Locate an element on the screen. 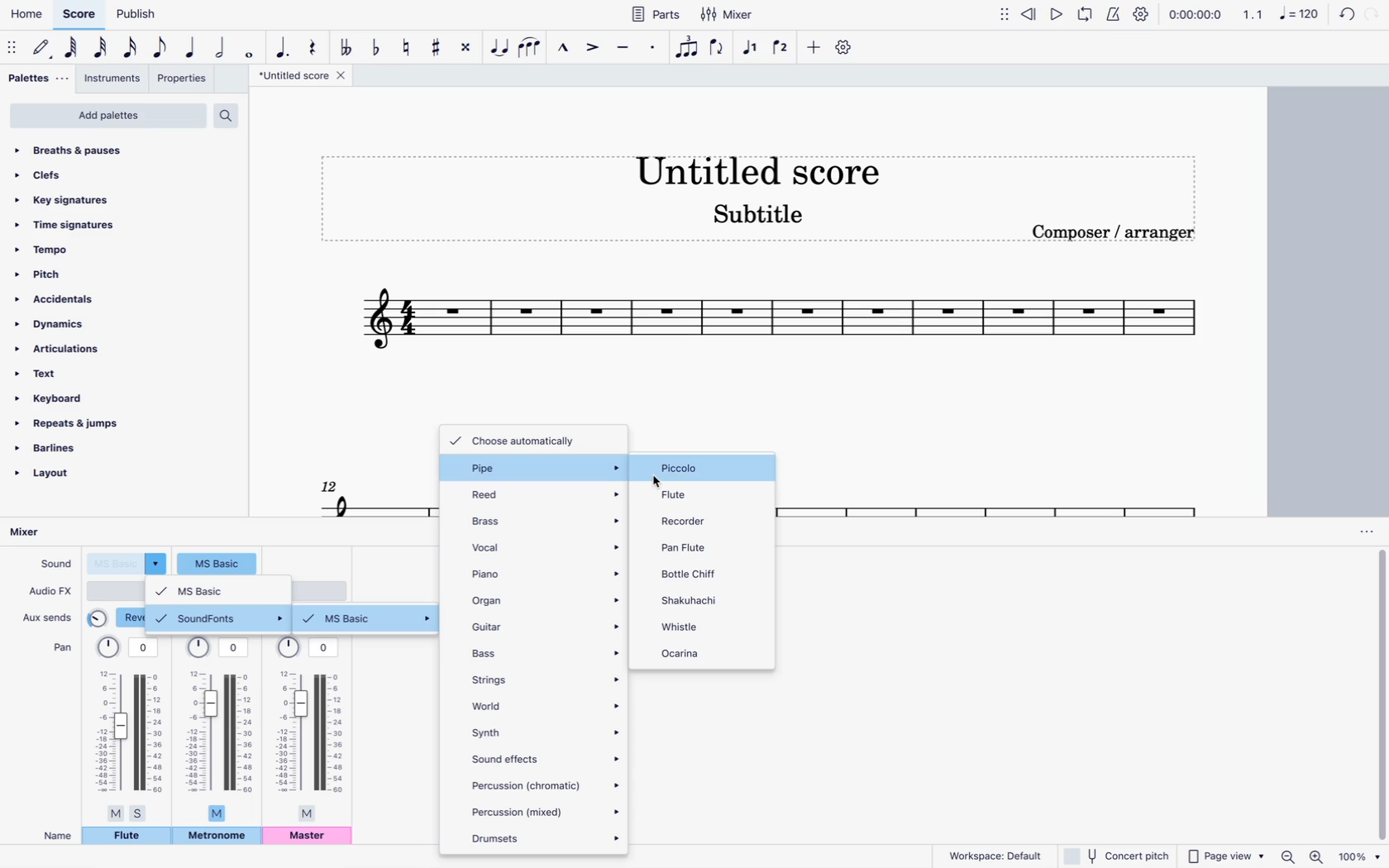 This screenshot has width=1389, height=868. audio fx is located at coordinates (50, 591).